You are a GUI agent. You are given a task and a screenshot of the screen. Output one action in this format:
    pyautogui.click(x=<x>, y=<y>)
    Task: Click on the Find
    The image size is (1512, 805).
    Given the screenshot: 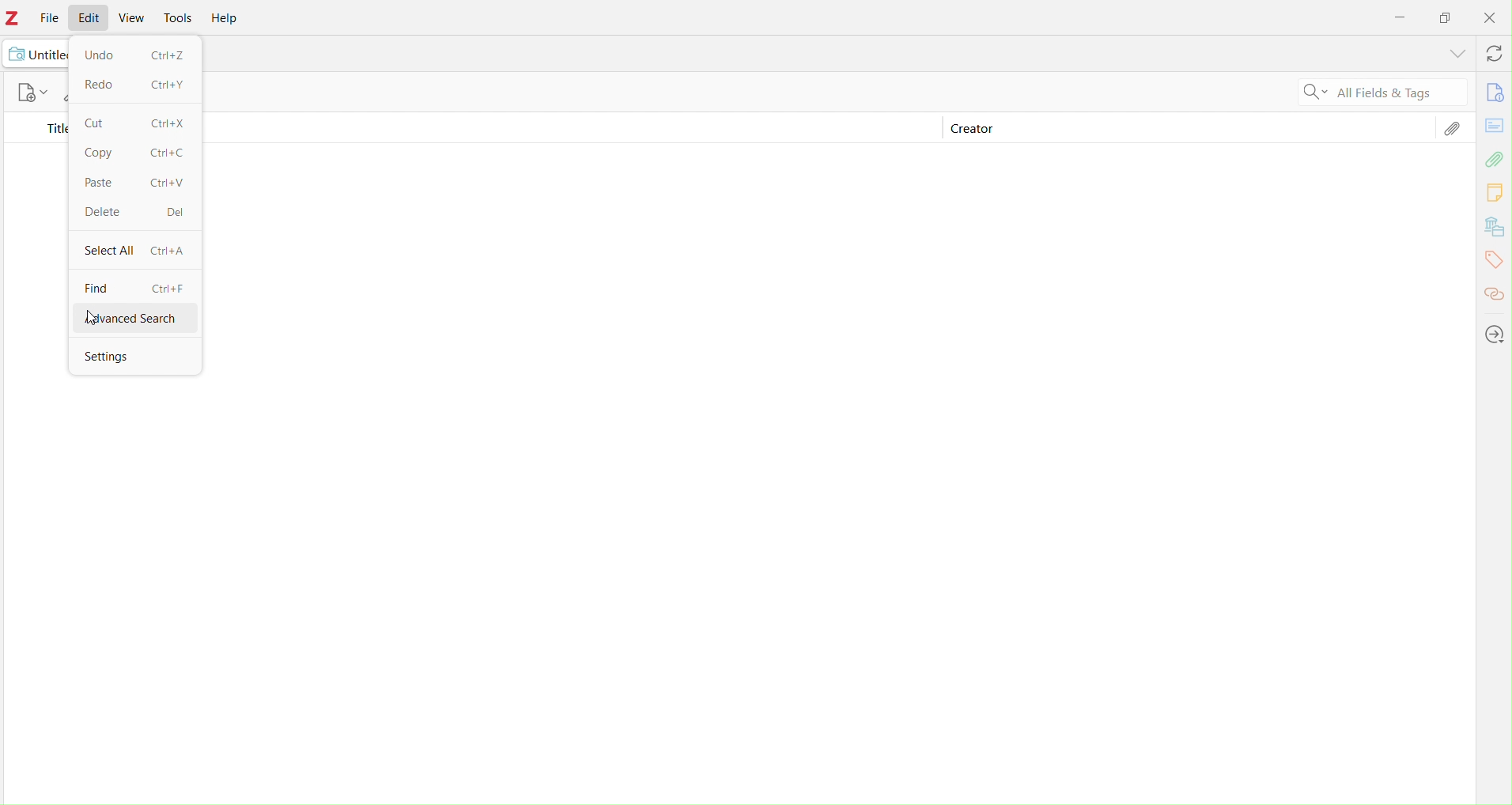 What is the action you would take?
    pyautogui.click(x=133, y=288)
    